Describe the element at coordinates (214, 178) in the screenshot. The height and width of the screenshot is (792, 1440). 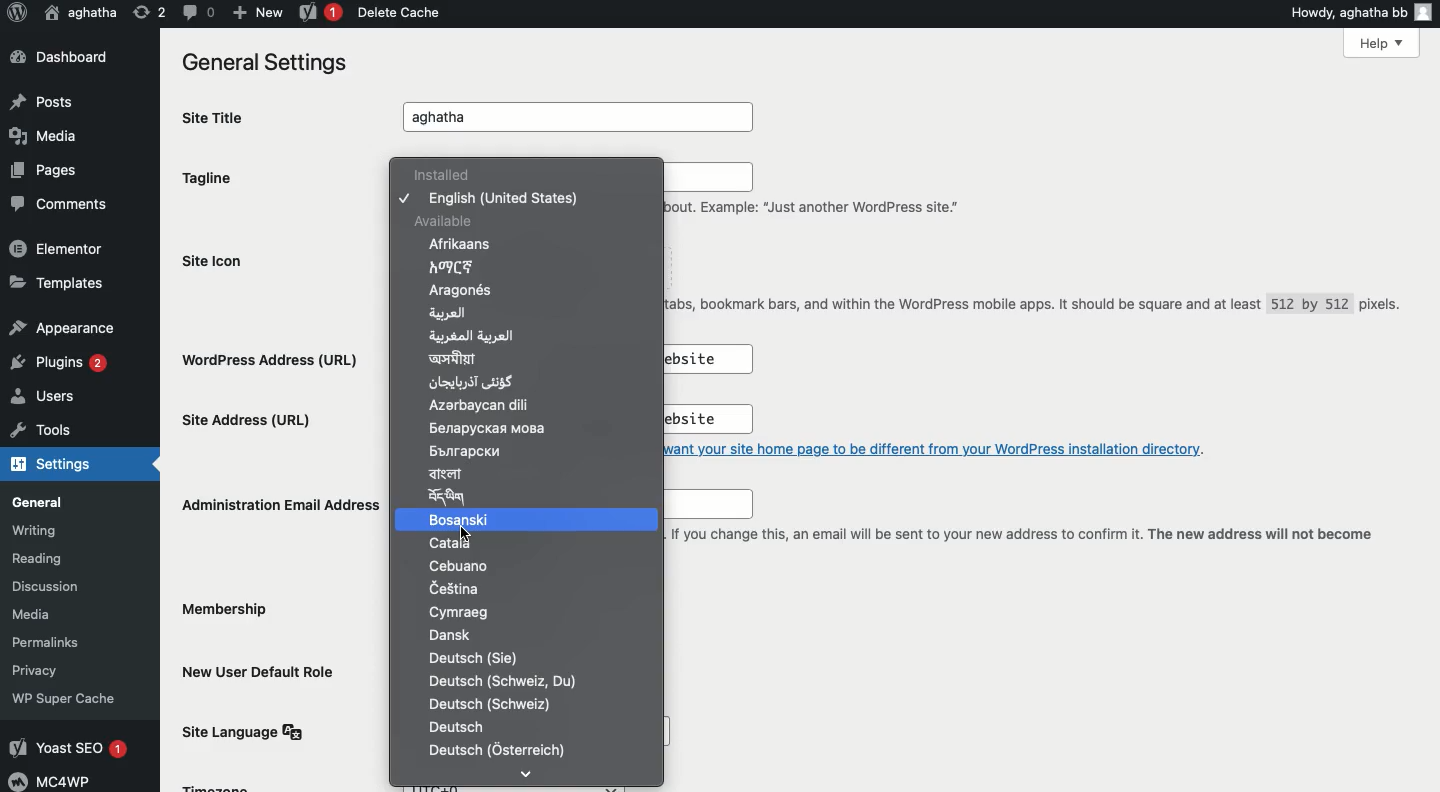
I see `Tagline` at that location.